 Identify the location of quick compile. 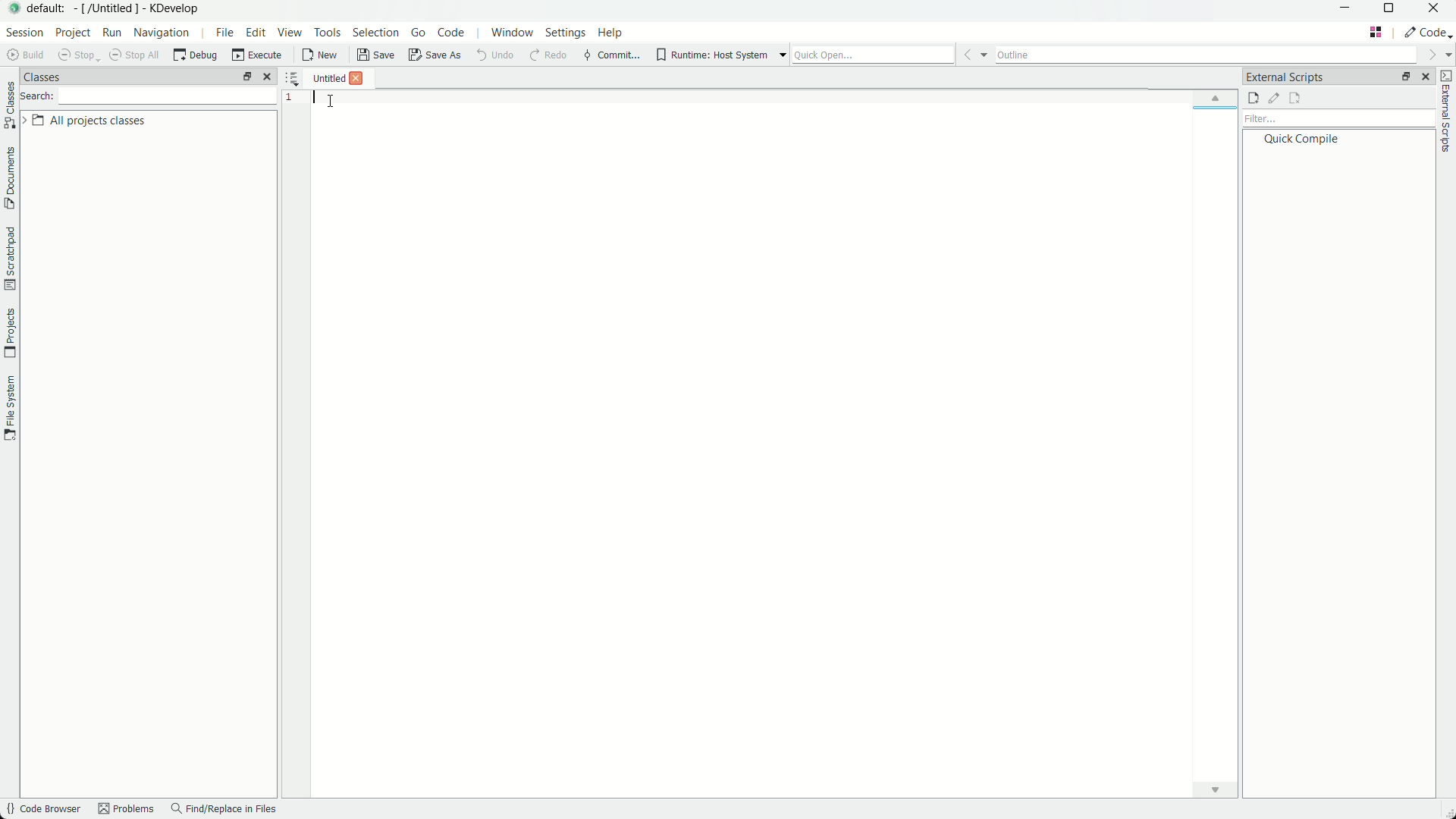
(1300, 140).